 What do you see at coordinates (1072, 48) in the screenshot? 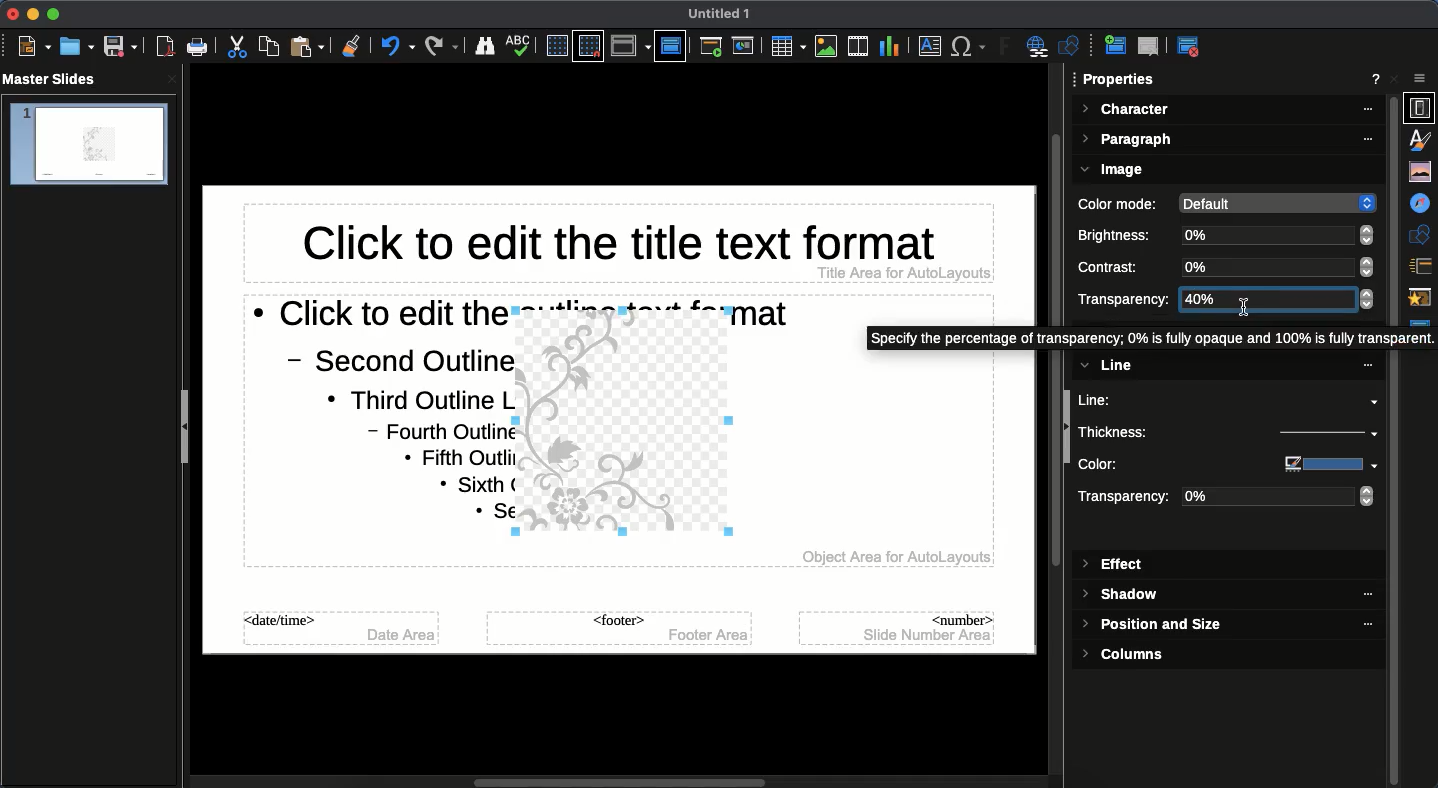
I see `Shapes` at bounding box center [1072, 48].